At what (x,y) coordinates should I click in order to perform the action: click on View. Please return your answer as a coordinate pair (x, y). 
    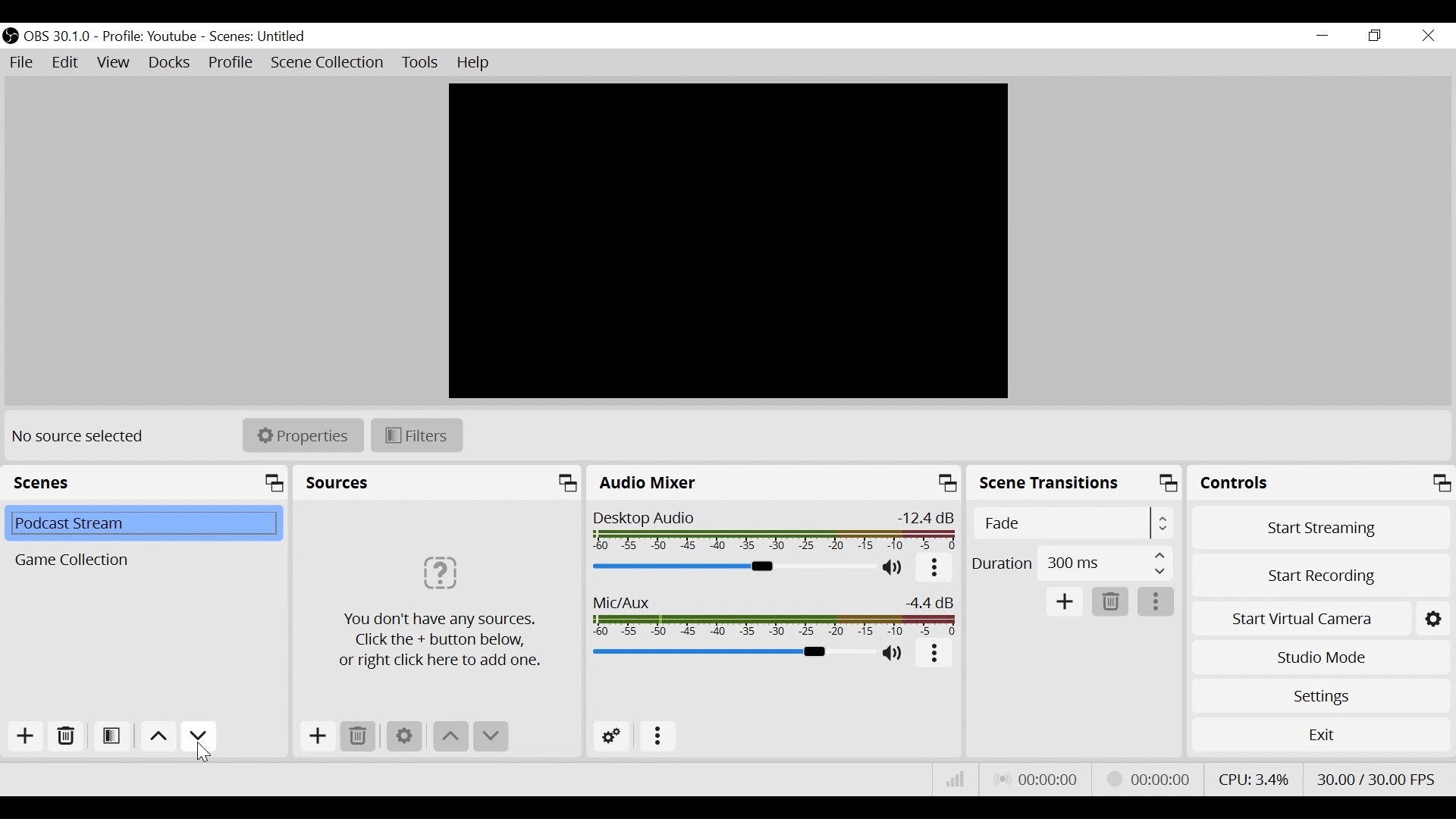
    Looking at the image, I should click on (115, 65).